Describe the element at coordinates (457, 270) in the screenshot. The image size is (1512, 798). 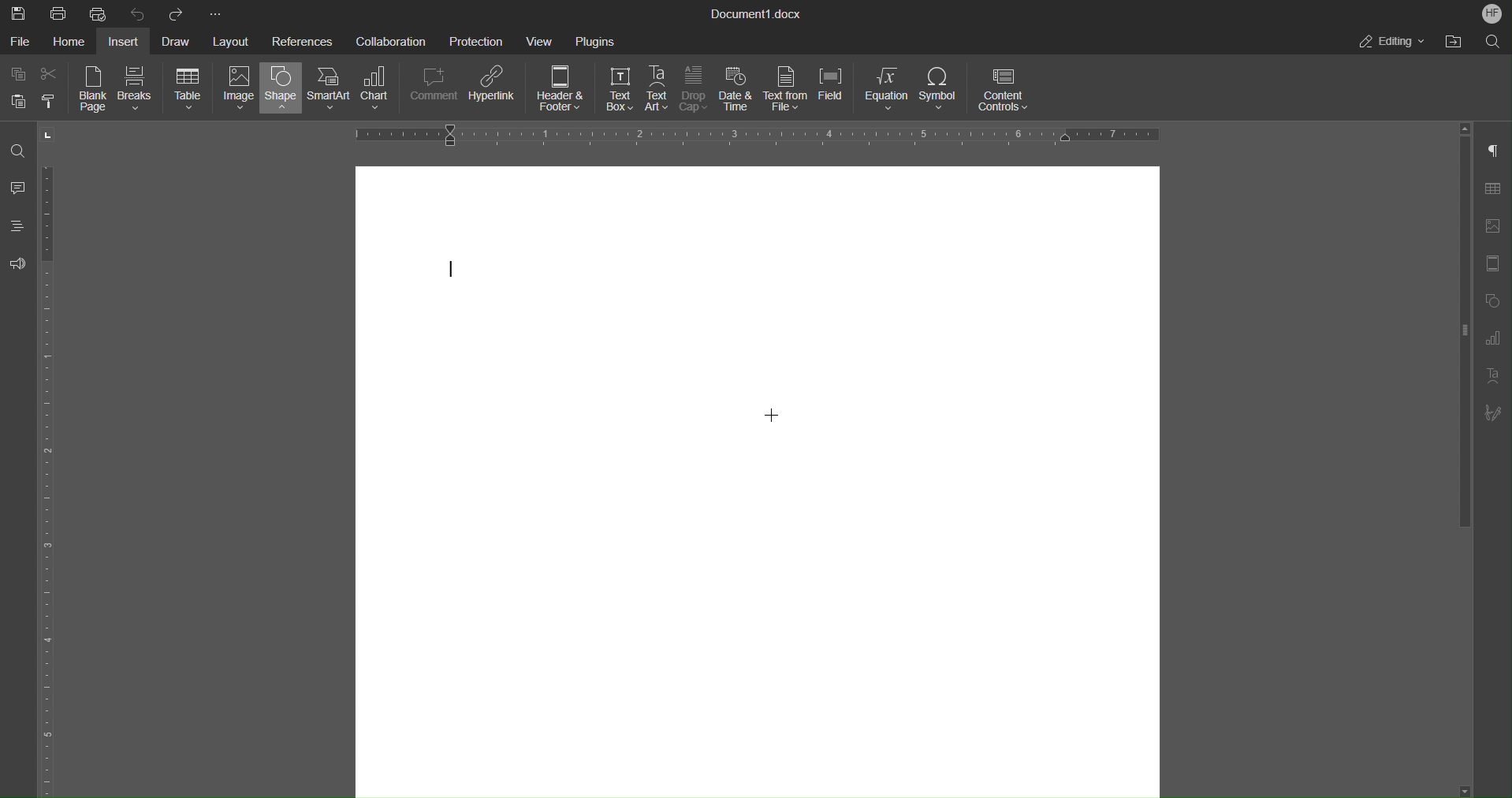
I see `Text cursor` at that location.